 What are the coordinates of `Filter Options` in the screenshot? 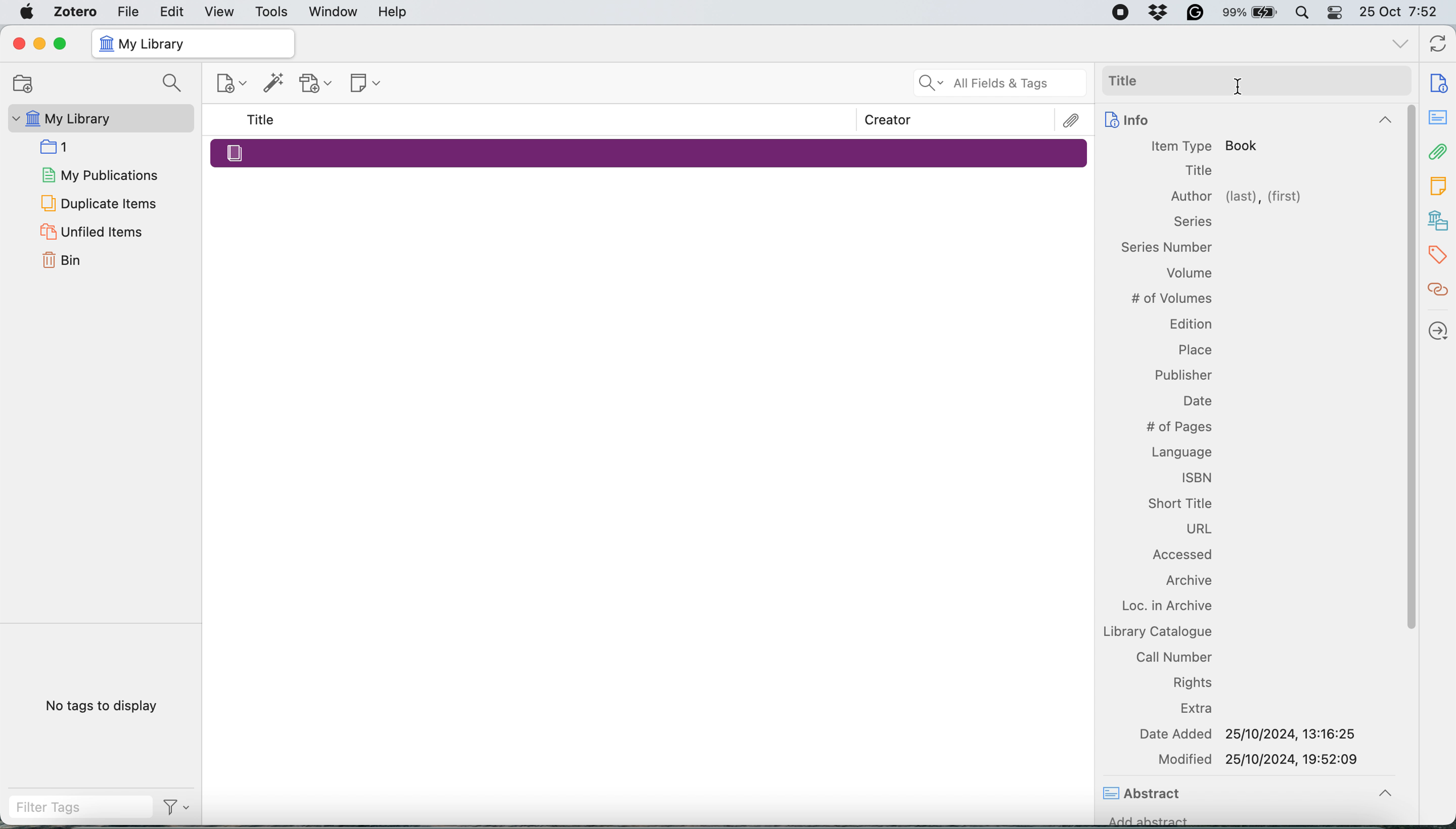 It's located at (181, 807).